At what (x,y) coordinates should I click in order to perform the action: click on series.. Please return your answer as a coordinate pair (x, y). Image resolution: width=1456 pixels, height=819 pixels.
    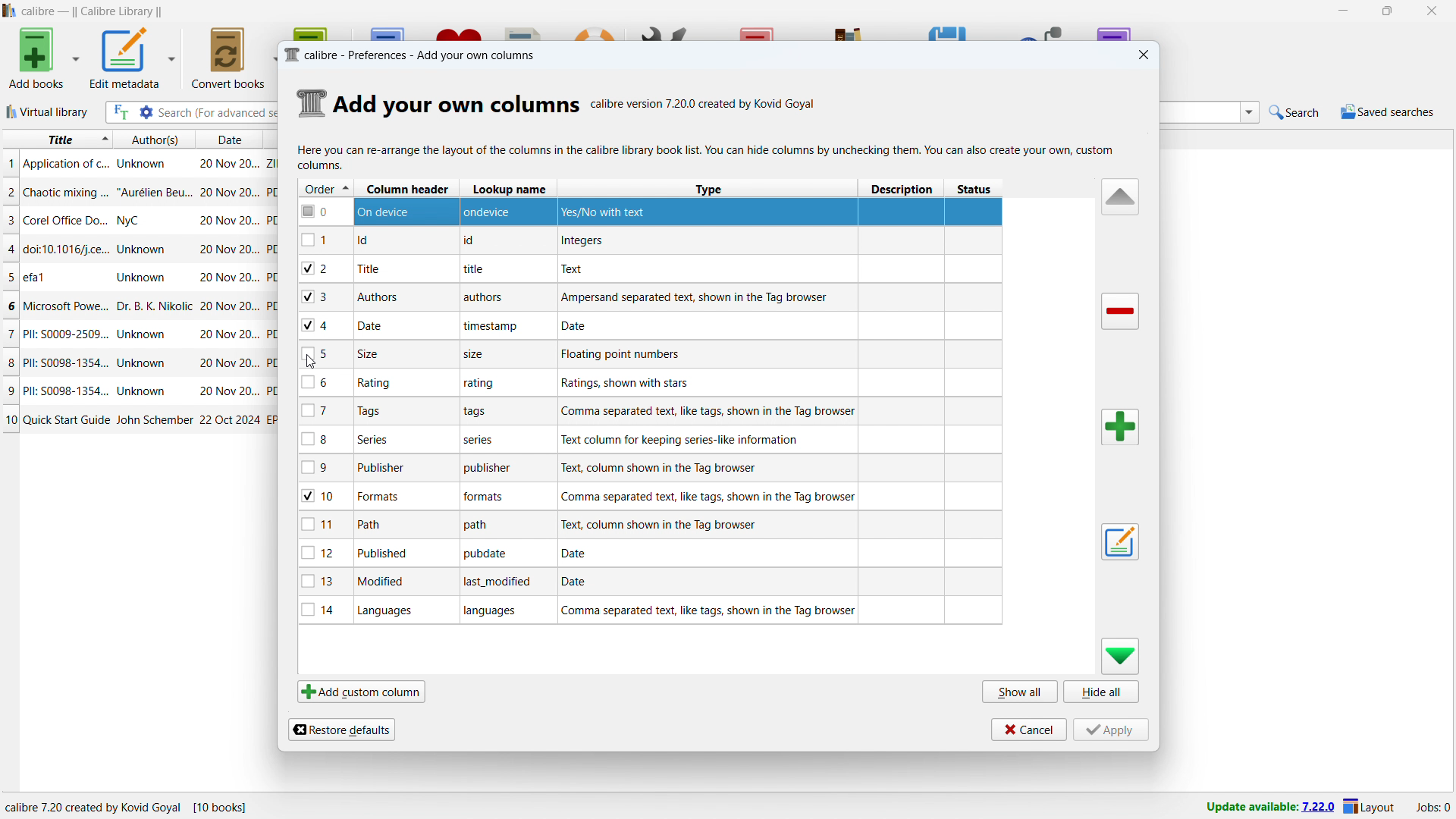
    Looking at the image, I should click on (480, 442).